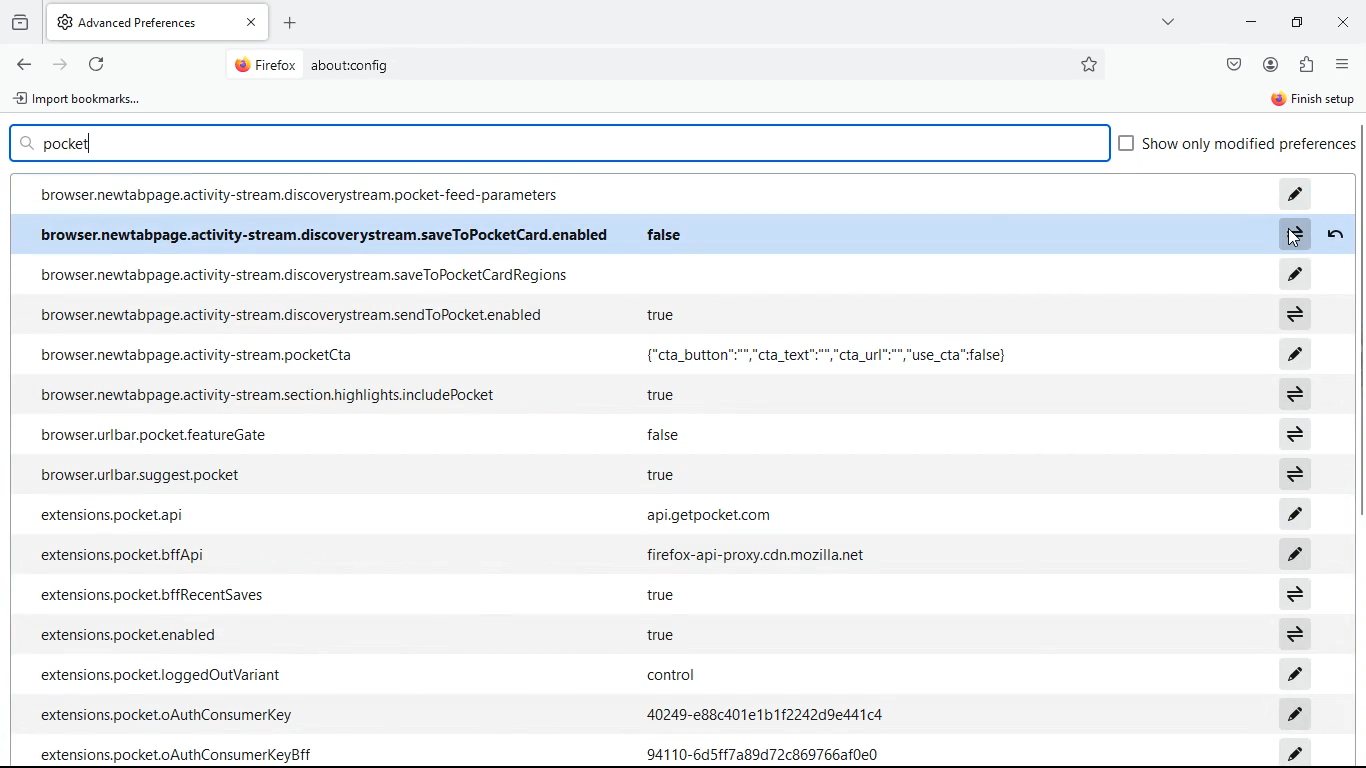  Describe the element at coordinates (715, 515) in the screenshot. I see `api.getpocket.com` at that location.